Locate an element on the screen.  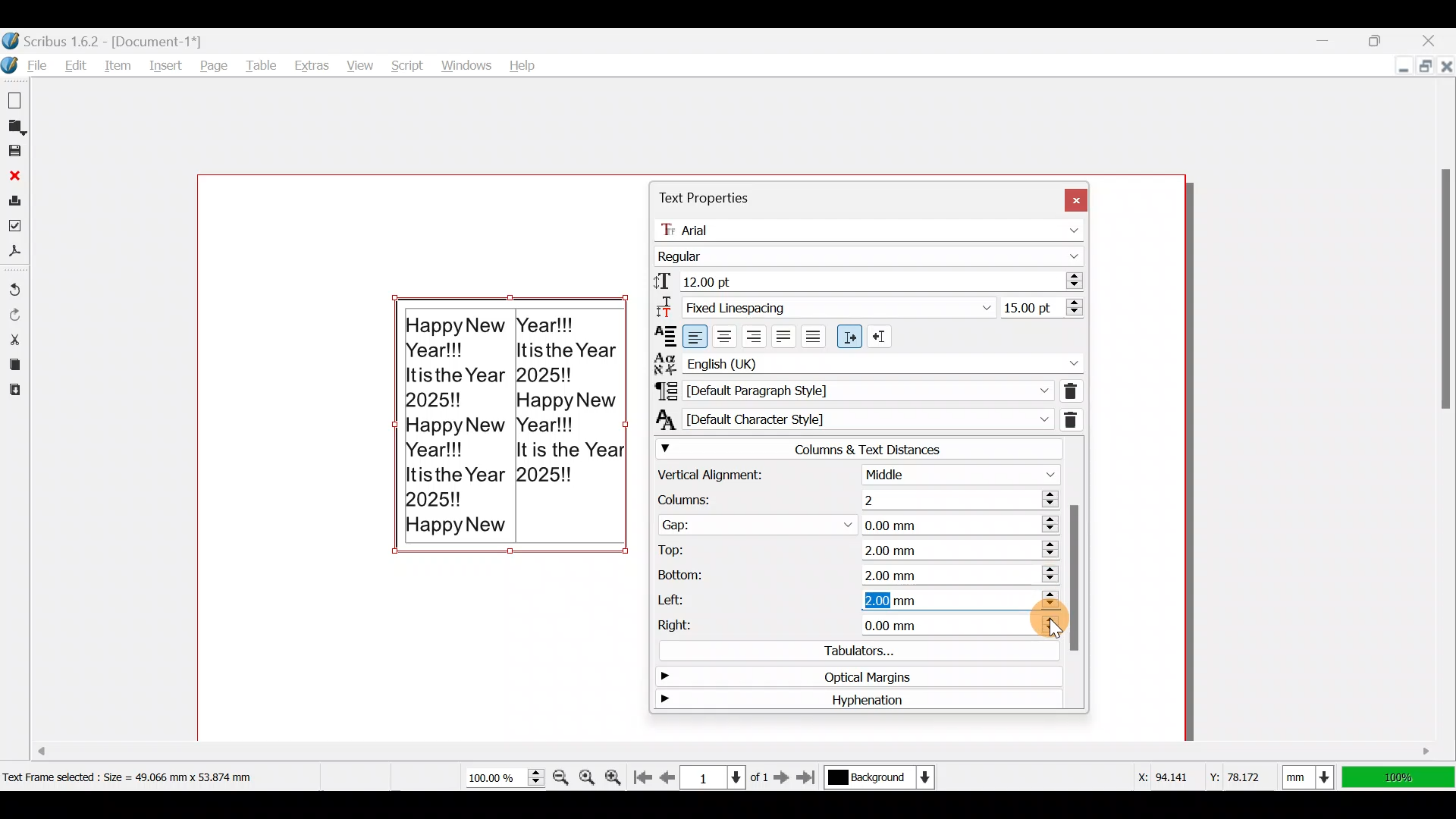
Cursor on right (increase button) is located at coordinates (1047, 623).